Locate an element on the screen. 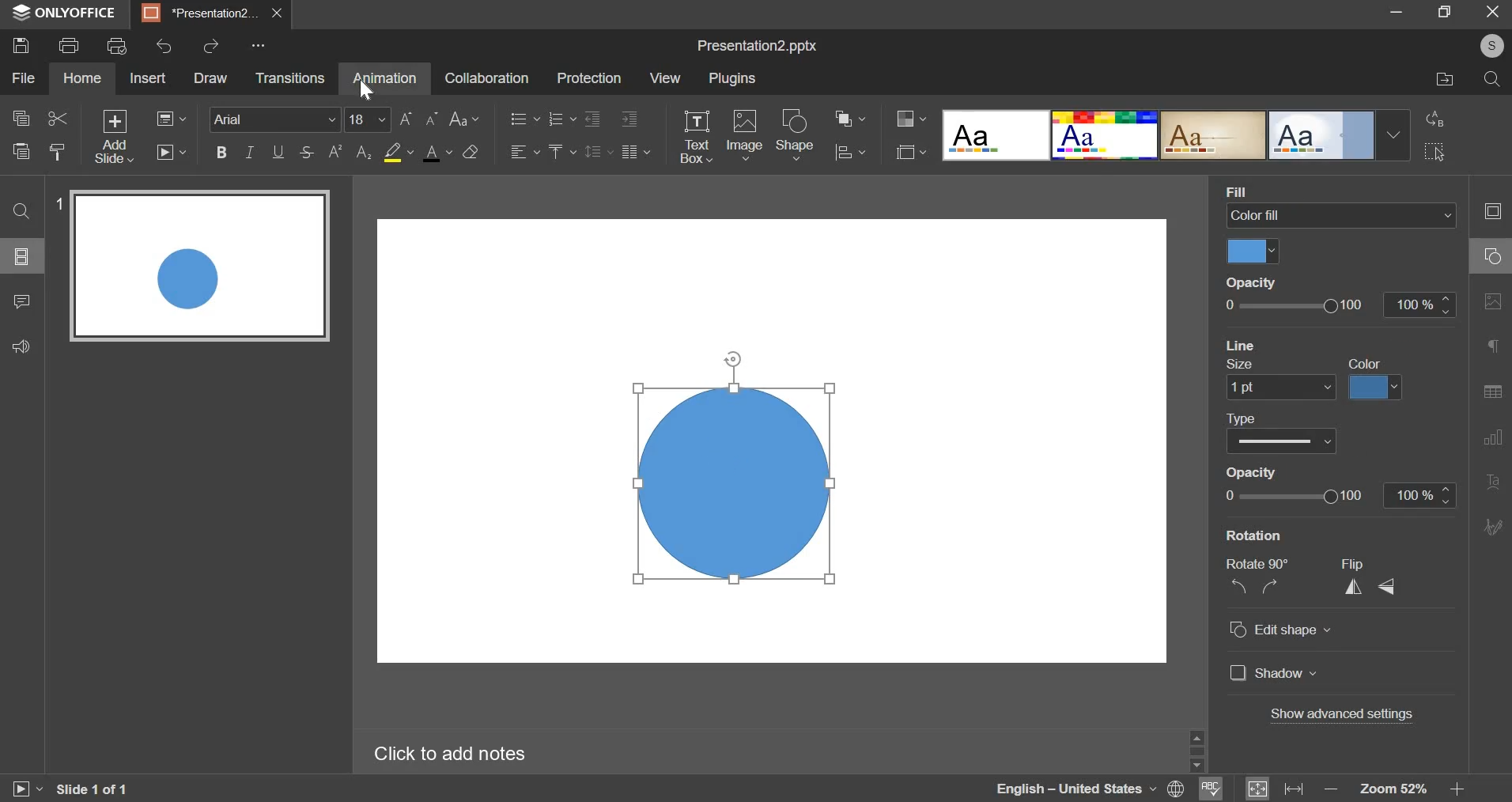 The image size is (1512, 802). shape is located at coordinates (796, 135).